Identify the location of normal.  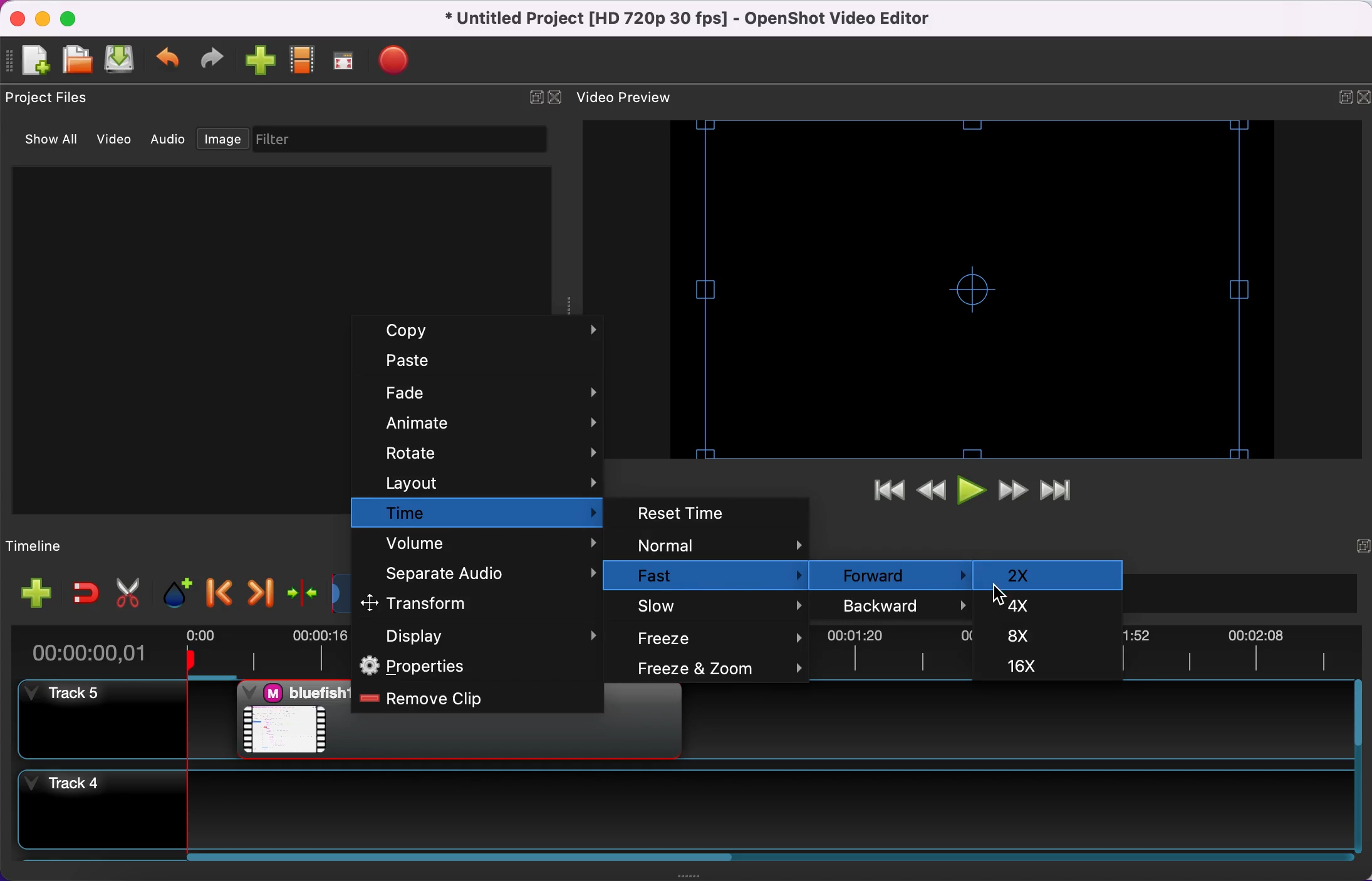
(719, 546).